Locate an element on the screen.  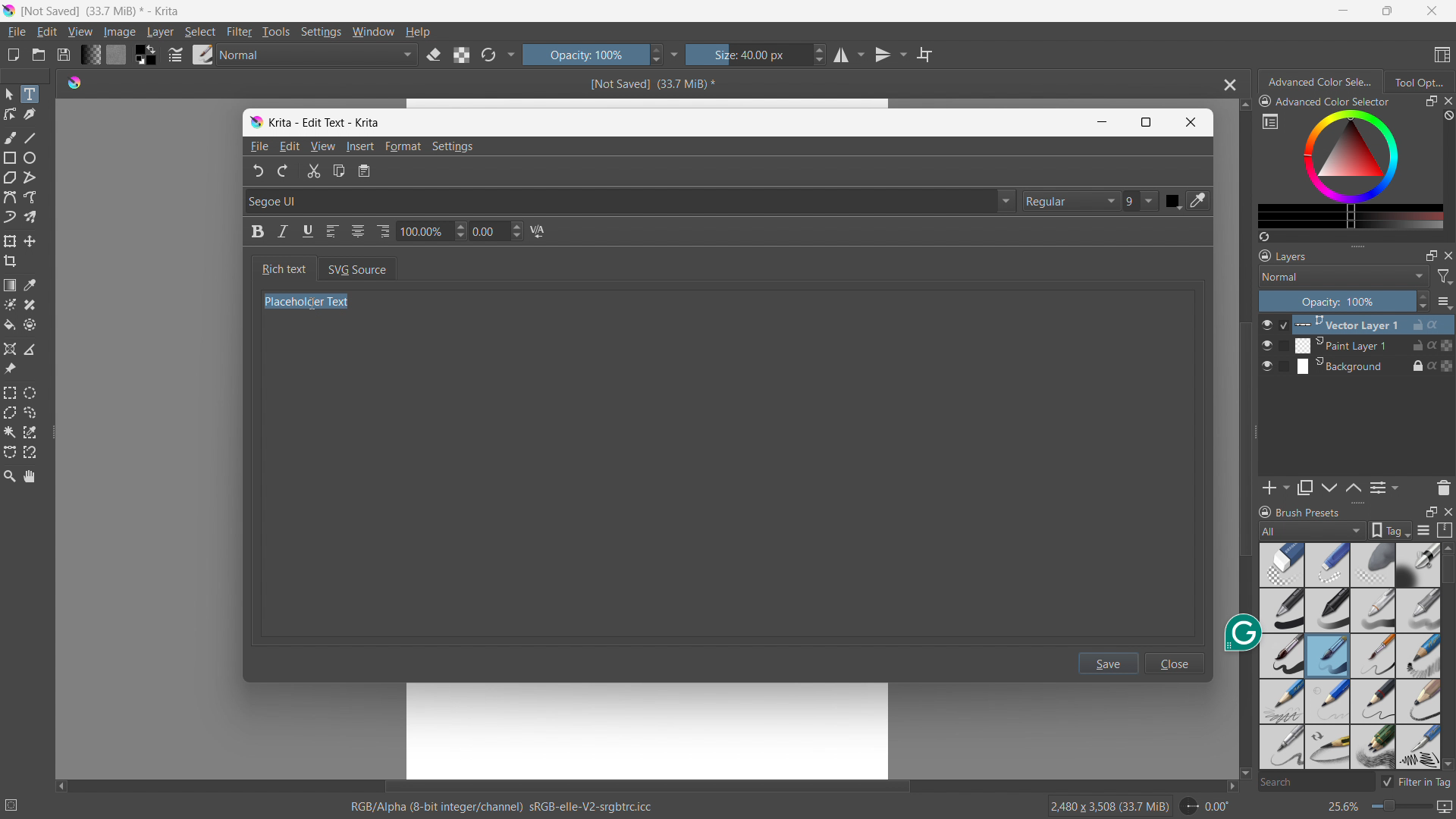
opacity control is located at coordinates (1344, 301).